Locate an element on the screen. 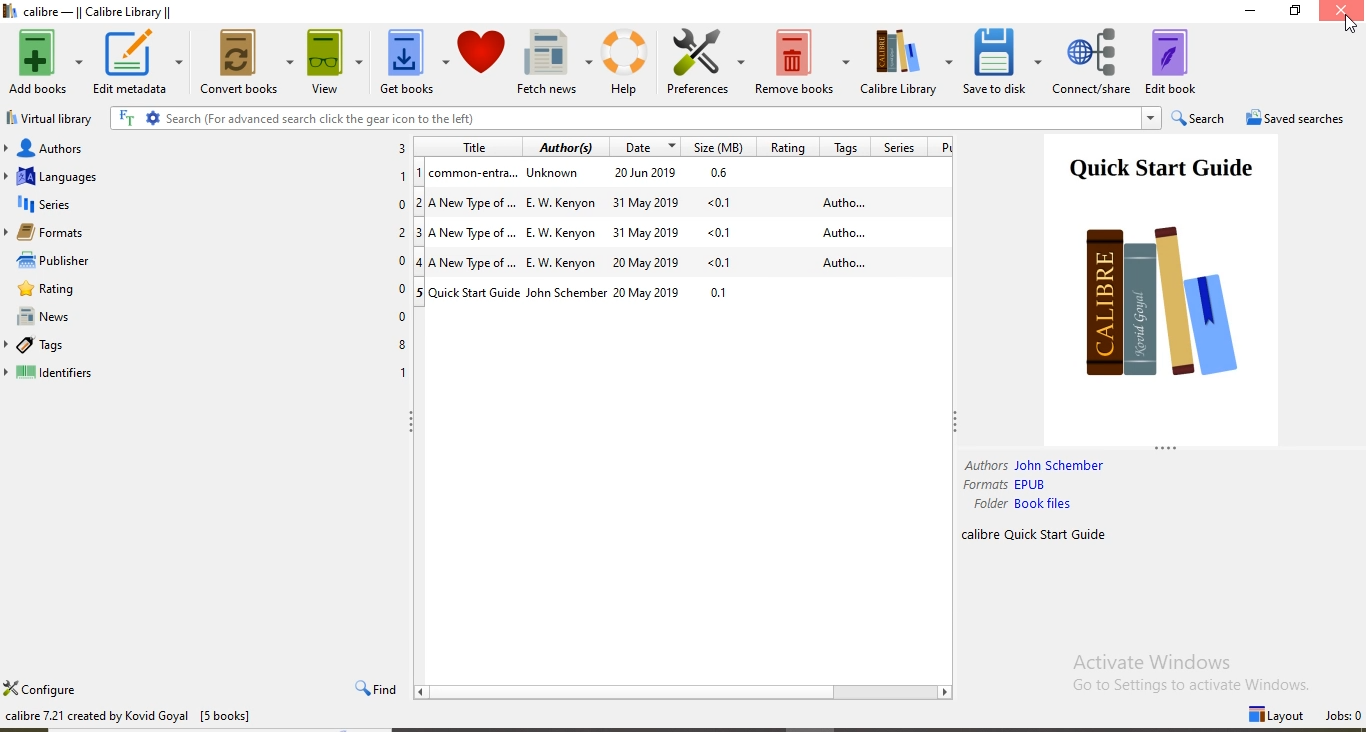  Help is located at coordinates (627, 63).